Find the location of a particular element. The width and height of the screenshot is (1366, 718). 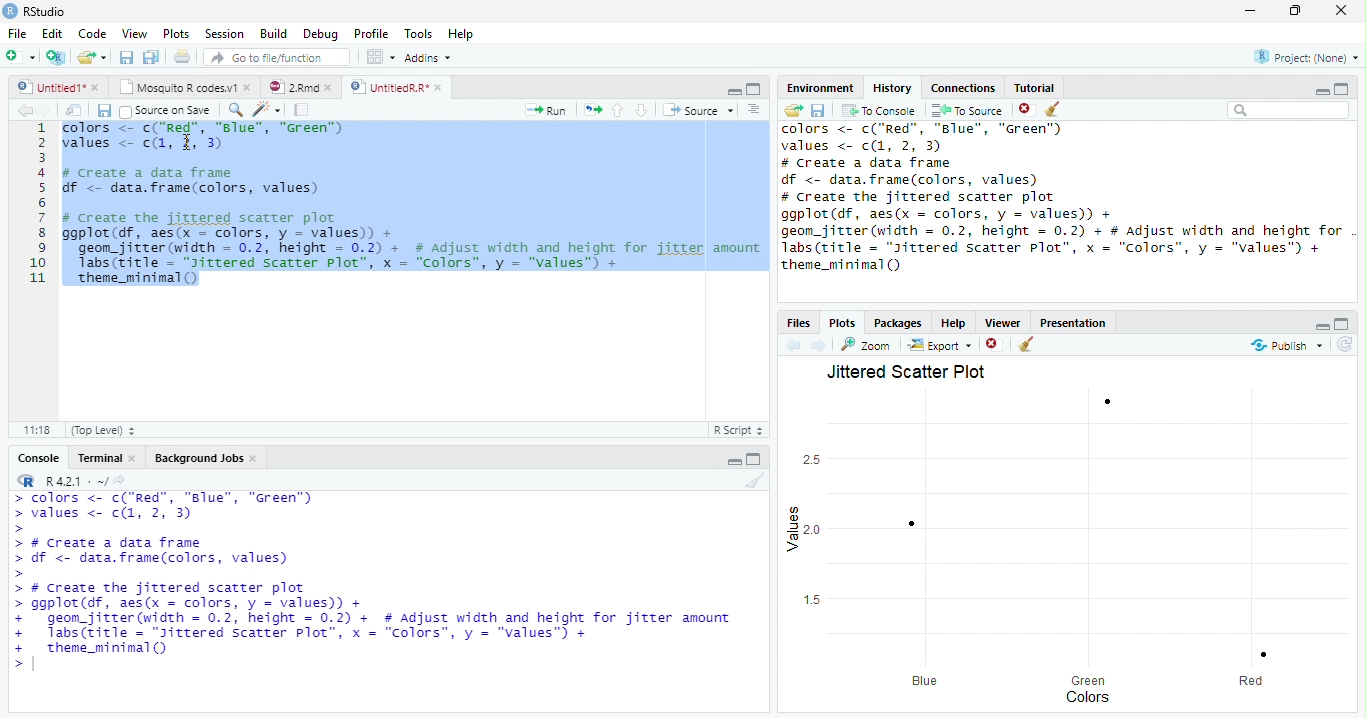

Find/Replace is located at coordinates (236, 109).